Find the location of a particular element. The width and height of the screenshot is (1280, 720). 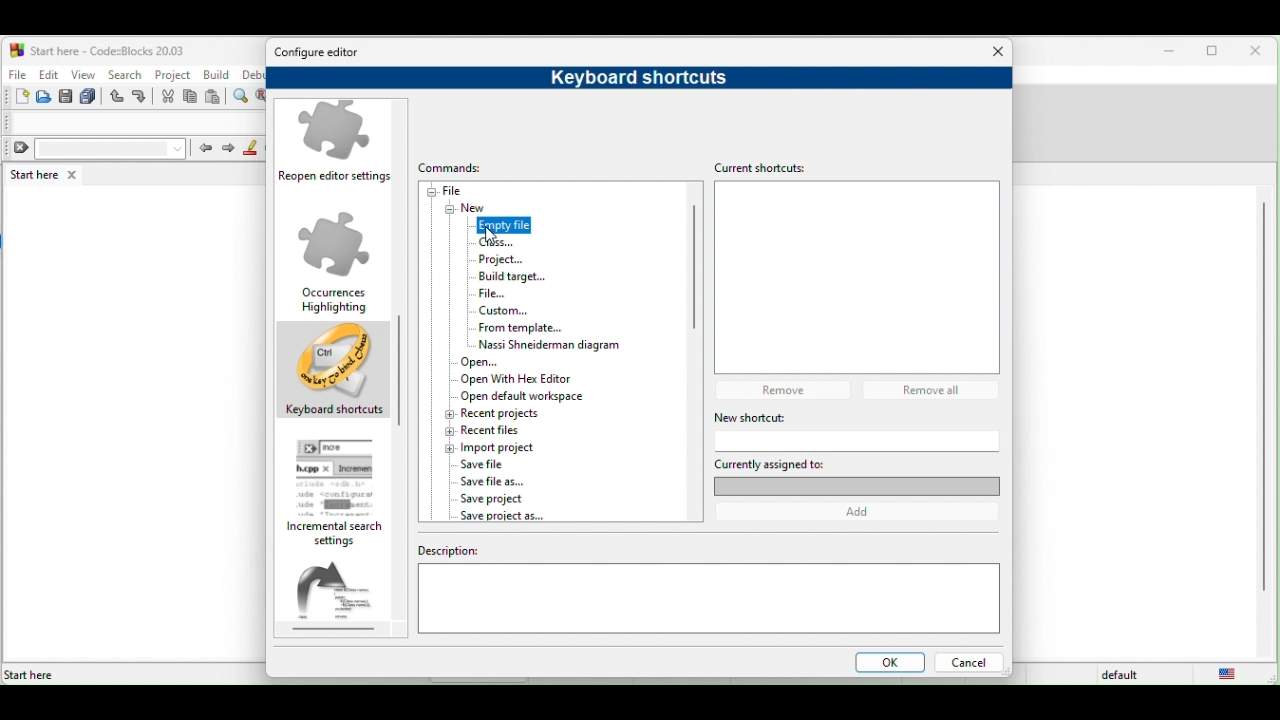

keyboard shortcuts is located at coordinates (630, 77).